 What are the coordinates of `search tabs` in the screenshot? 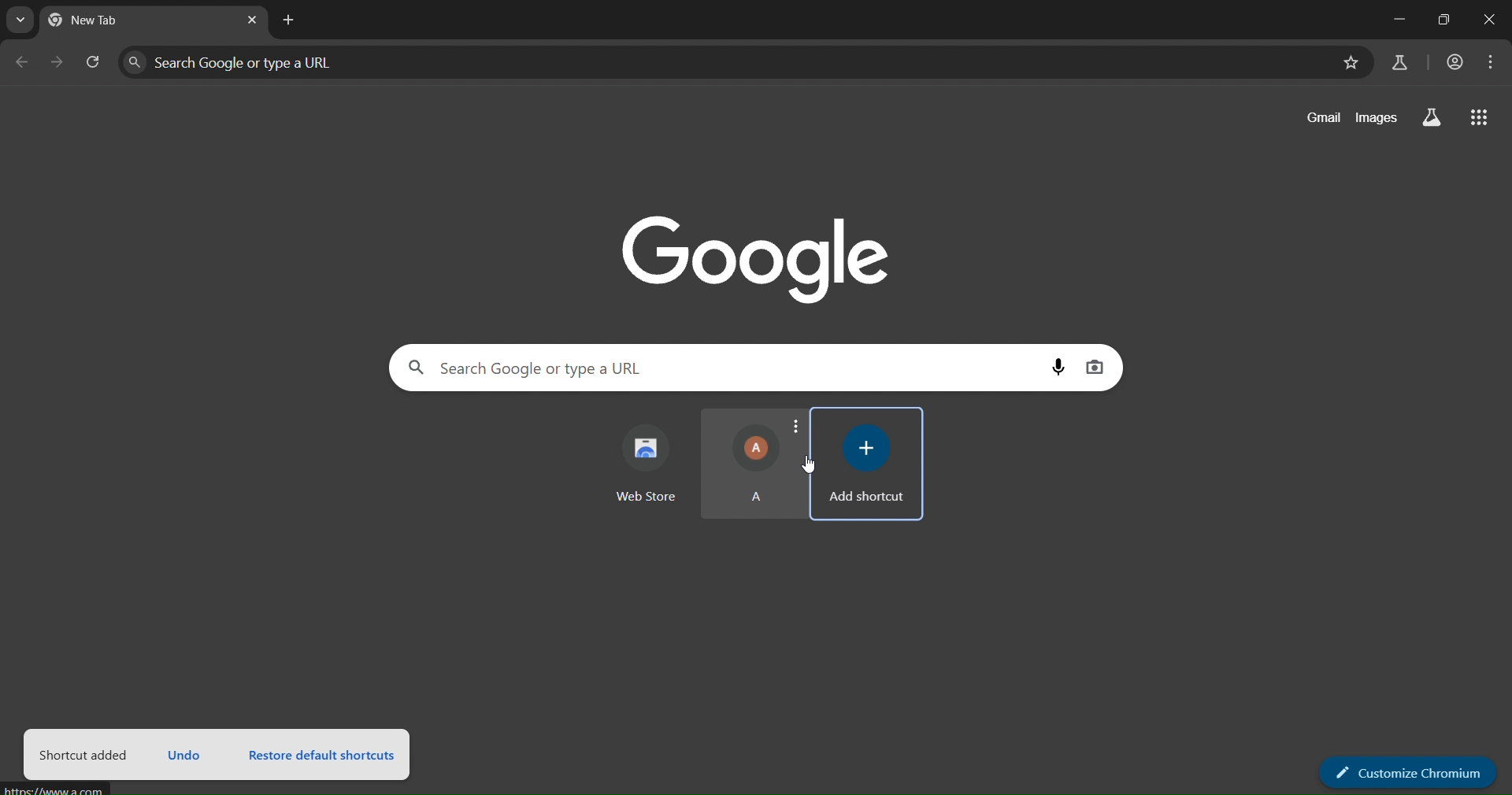 It's located at (24, 20).